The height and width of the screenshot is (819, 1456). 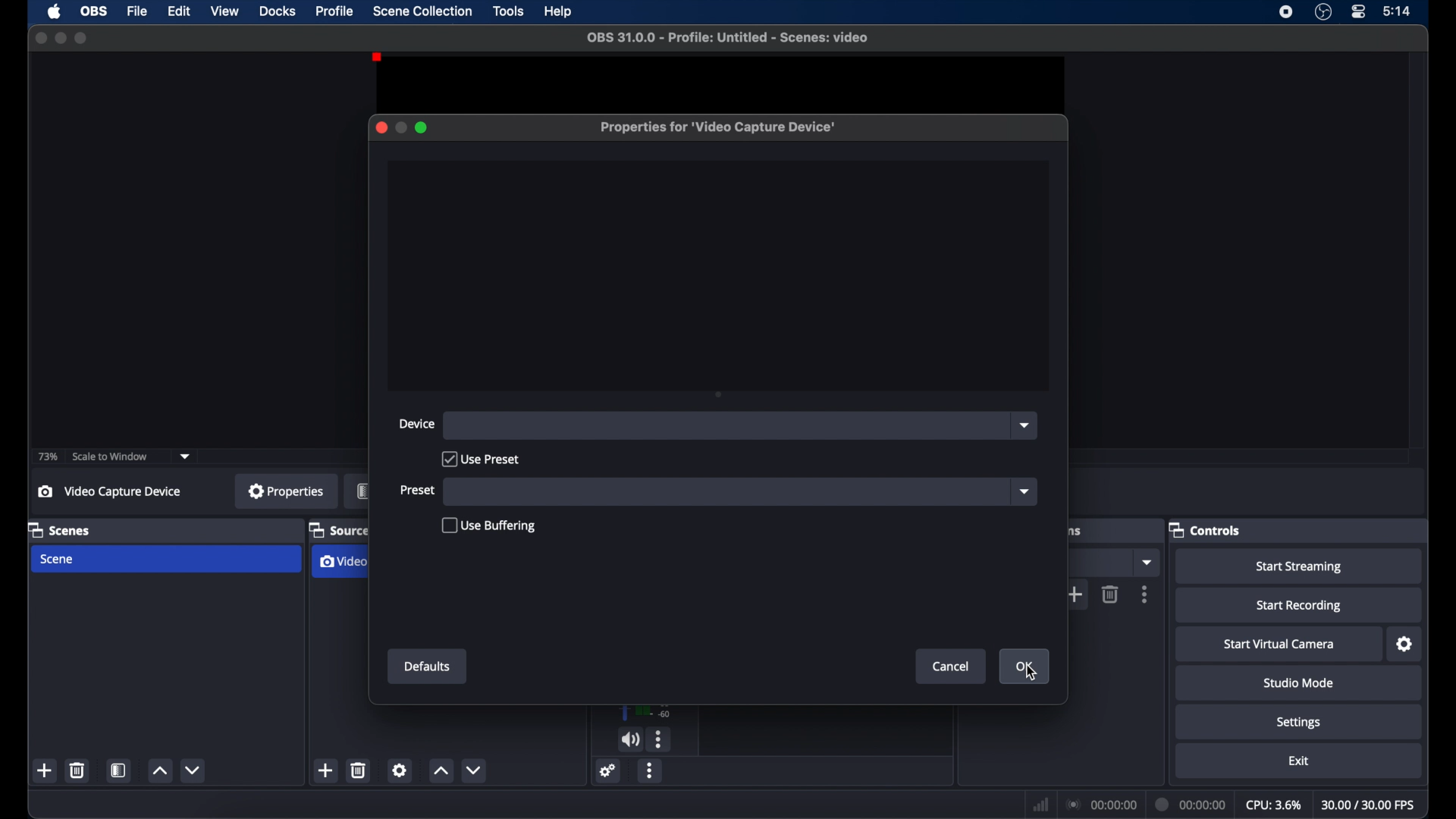 I want to click on dropdown, so click(x=1146, y=563).